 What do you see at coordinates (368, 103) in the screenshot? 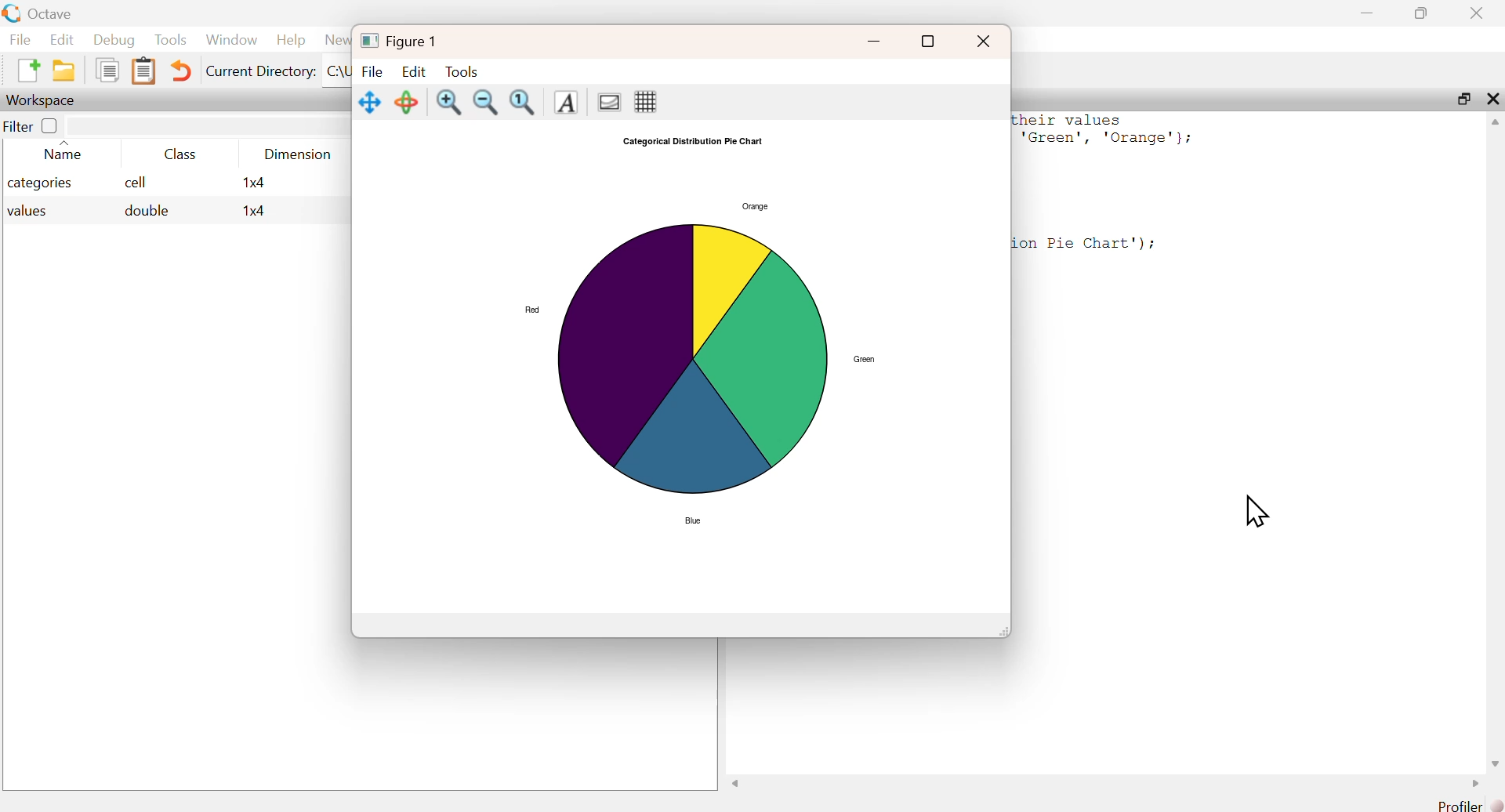
I see `Move` at bounding box center [368, 103].